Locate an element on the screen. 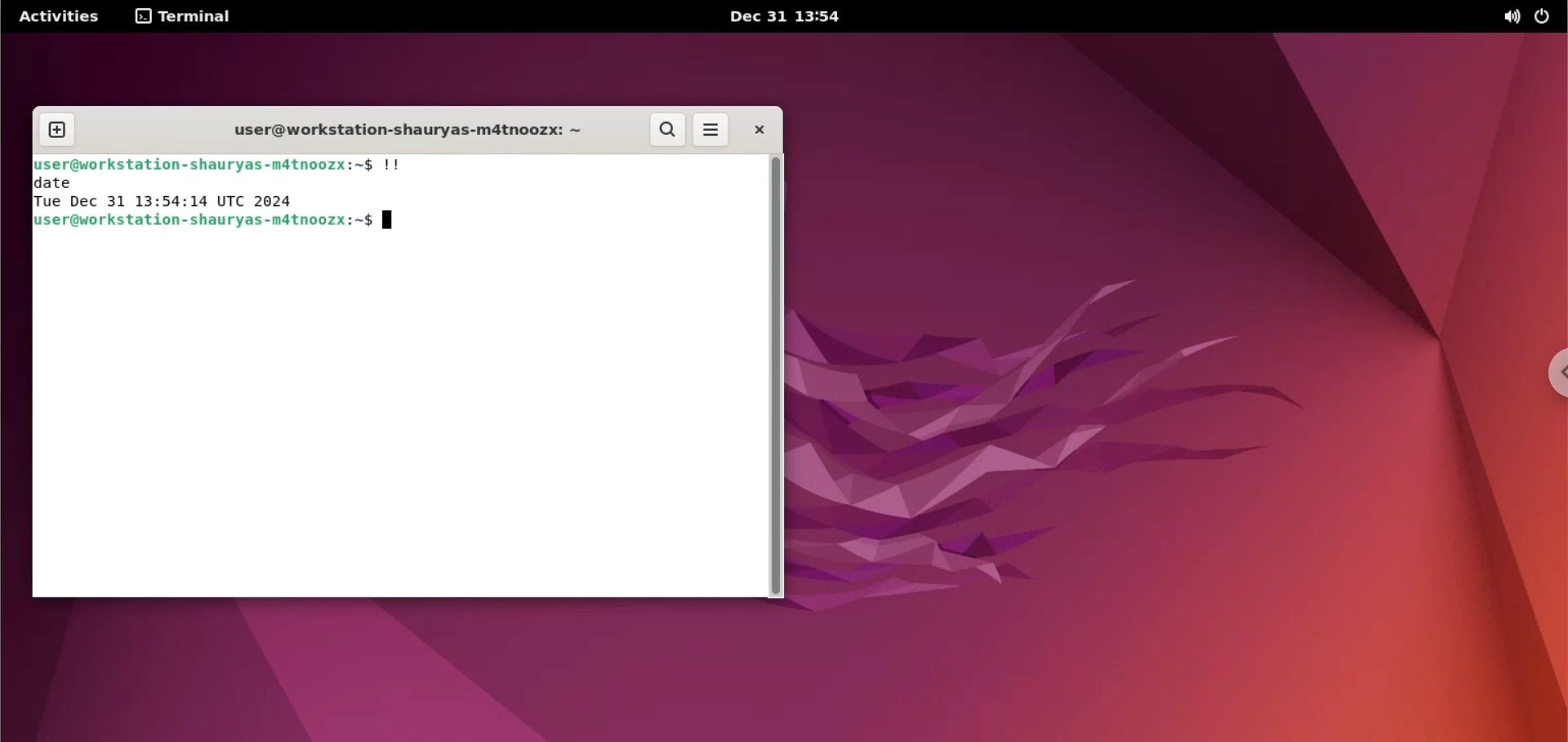 The height and width of the screenshot is (742, 1568). new tab is located at coordinates (56, 131).